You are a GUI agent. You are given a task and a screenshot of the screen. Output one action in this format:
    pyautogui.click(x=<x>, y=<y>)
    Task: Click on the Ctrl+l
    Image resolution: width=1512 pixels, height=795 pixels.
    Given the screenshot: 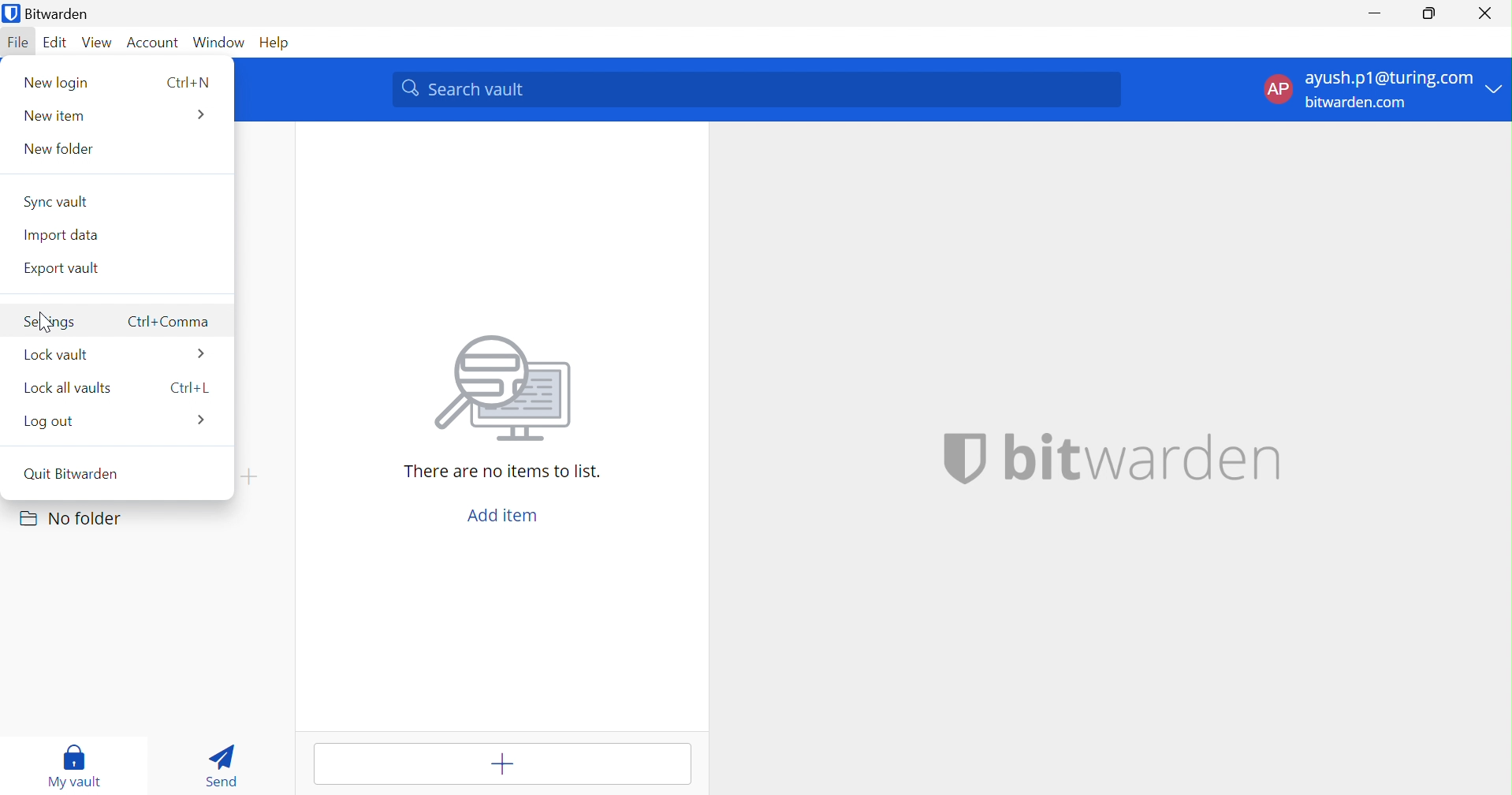 What is the action you would take?
    pyautogui.click(x=188, y=387)
    